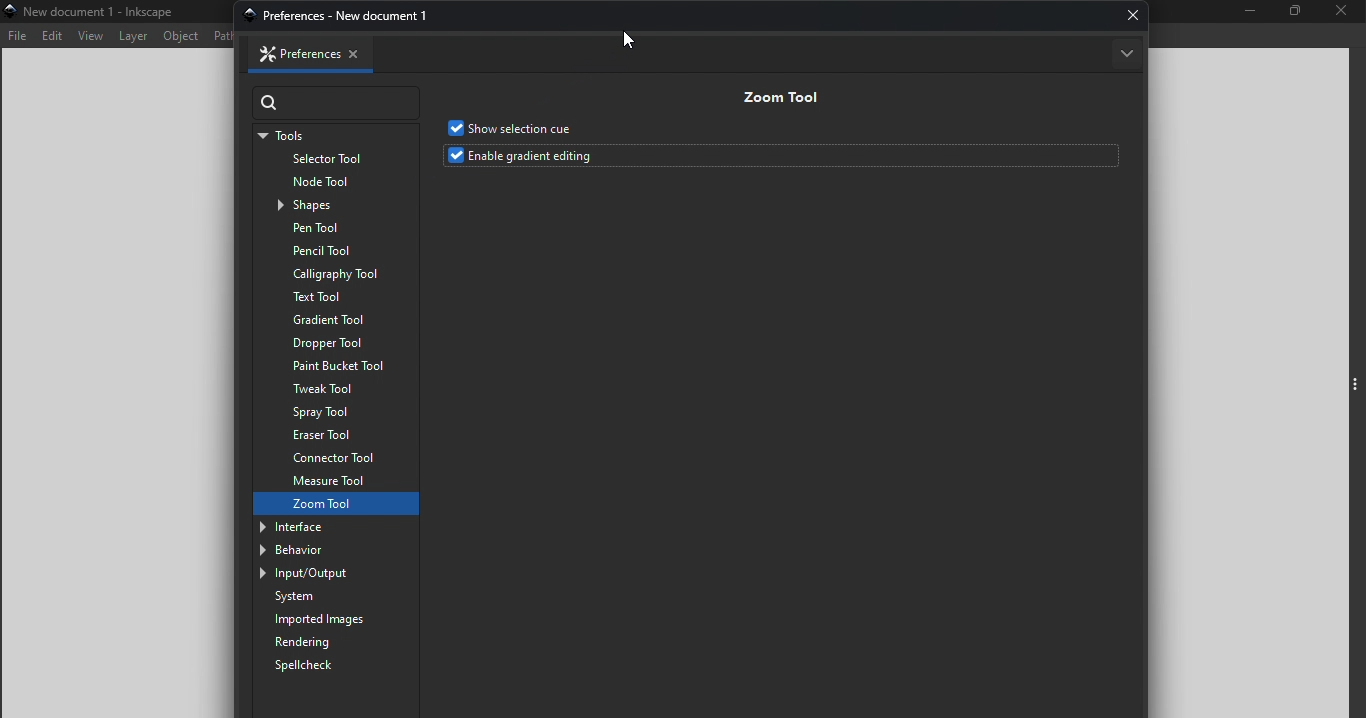 This screenshot has width=1366, height=718. What do you see at coordinates (291, 53) in the screenshot?
I see `Preferences` at bounding box center [291, 53].